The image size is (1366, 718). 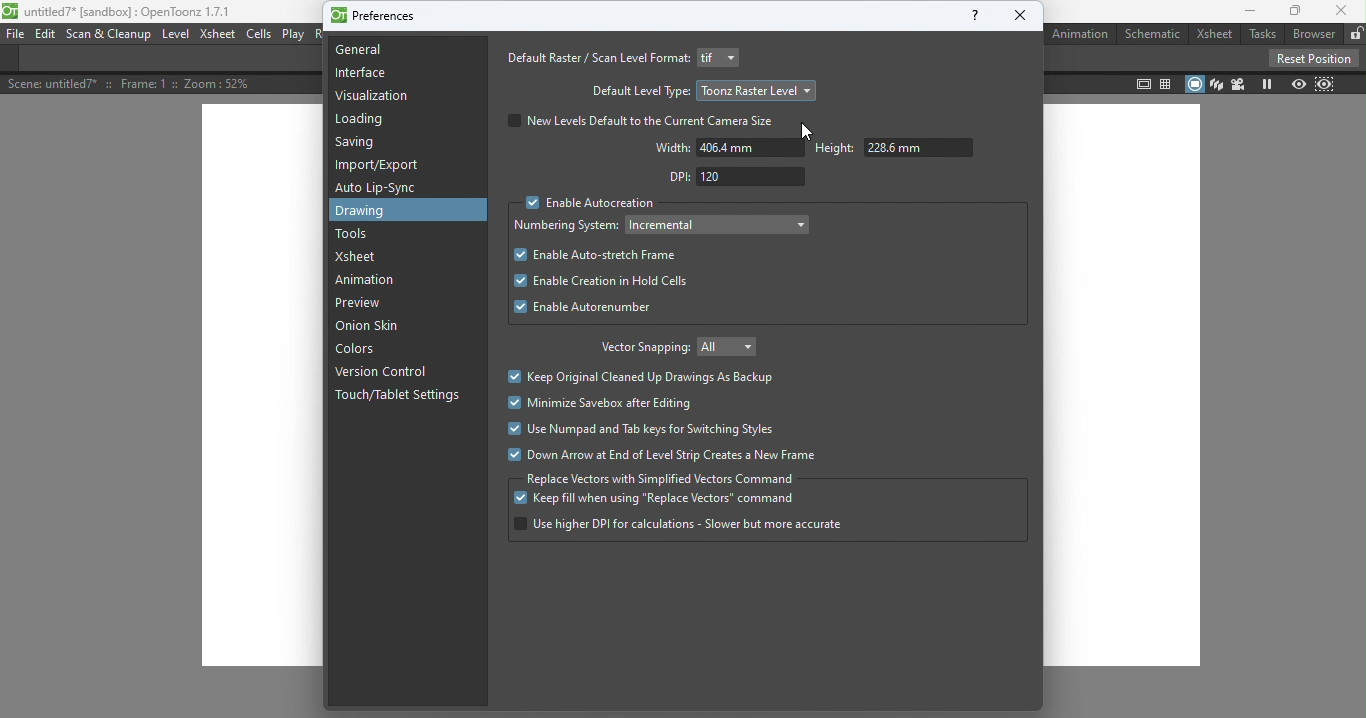 I want to click on Preview, so click(x=1297, y=83).